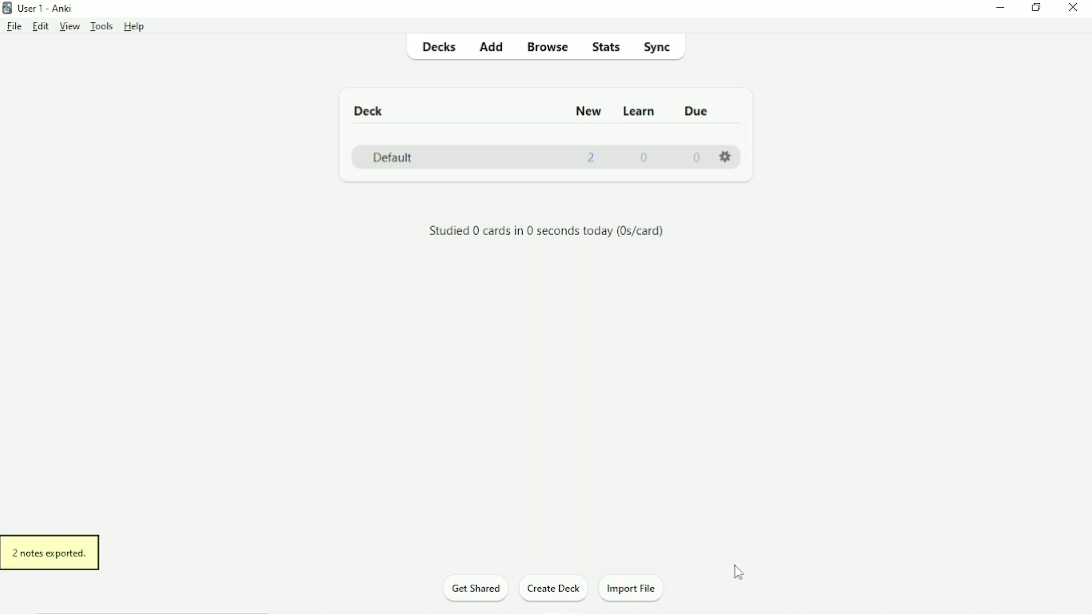  I want to click on Tools, so click(101, 26).